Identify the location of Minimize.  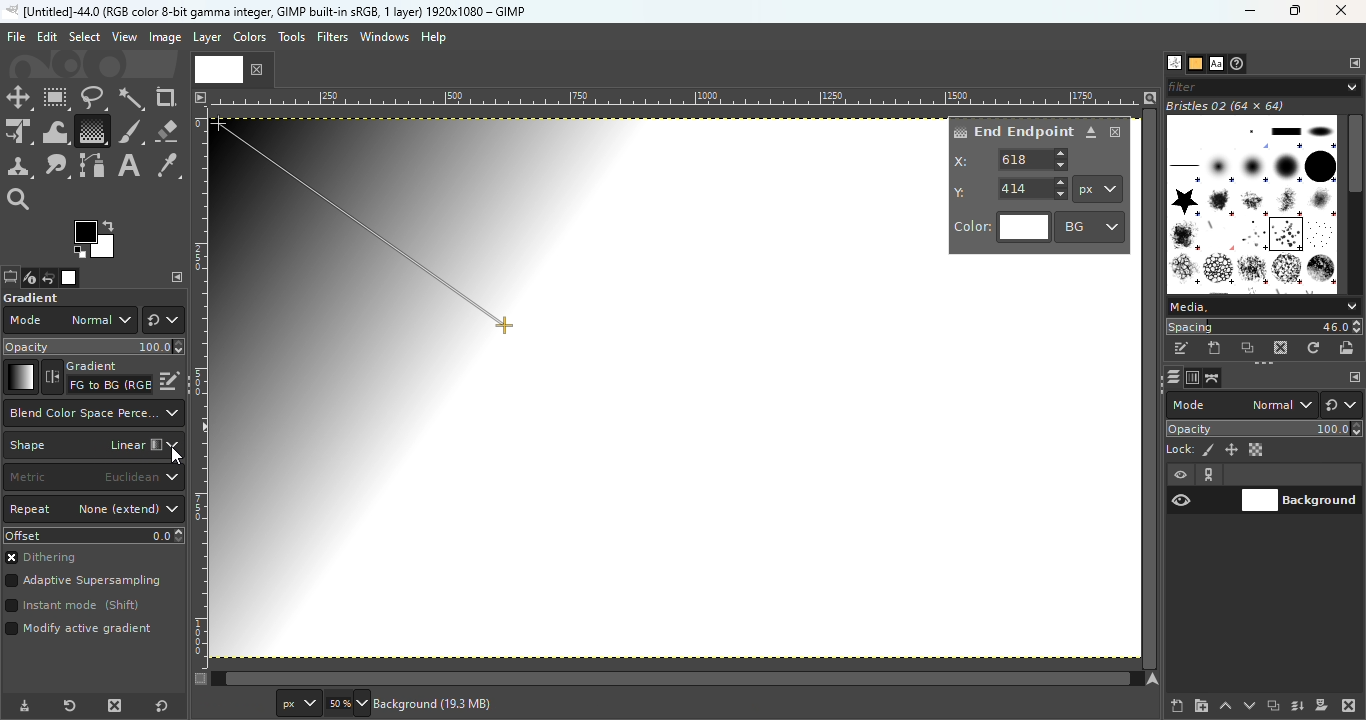
(1247, 11).